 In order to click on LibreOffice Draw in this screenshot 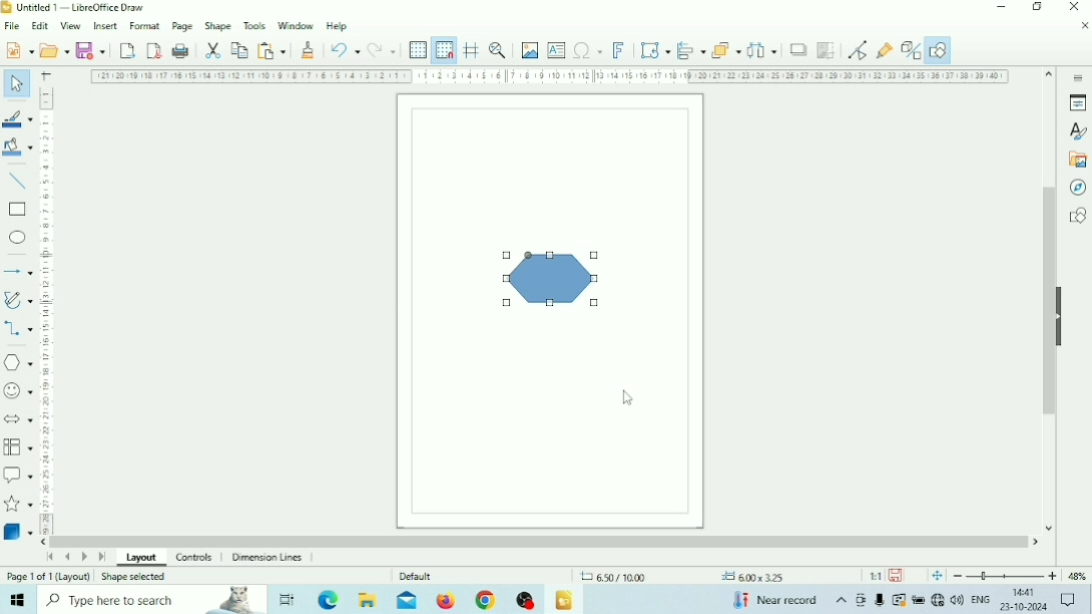, I will do `click(564, 601)`.